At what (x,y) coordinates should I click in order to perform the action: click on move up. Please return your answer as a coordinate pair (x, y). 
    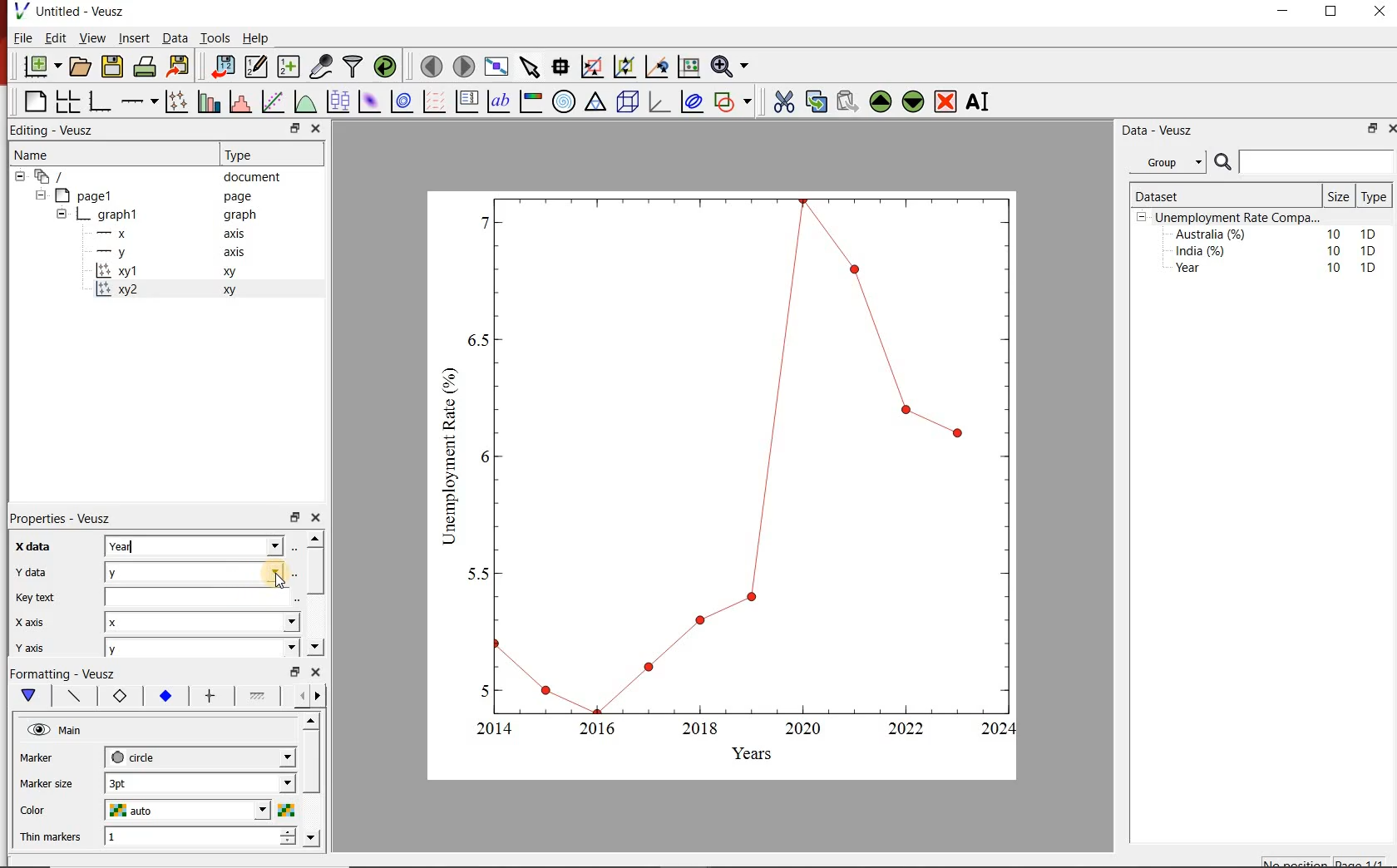
    Looking at the image, I should click on (313, 721).